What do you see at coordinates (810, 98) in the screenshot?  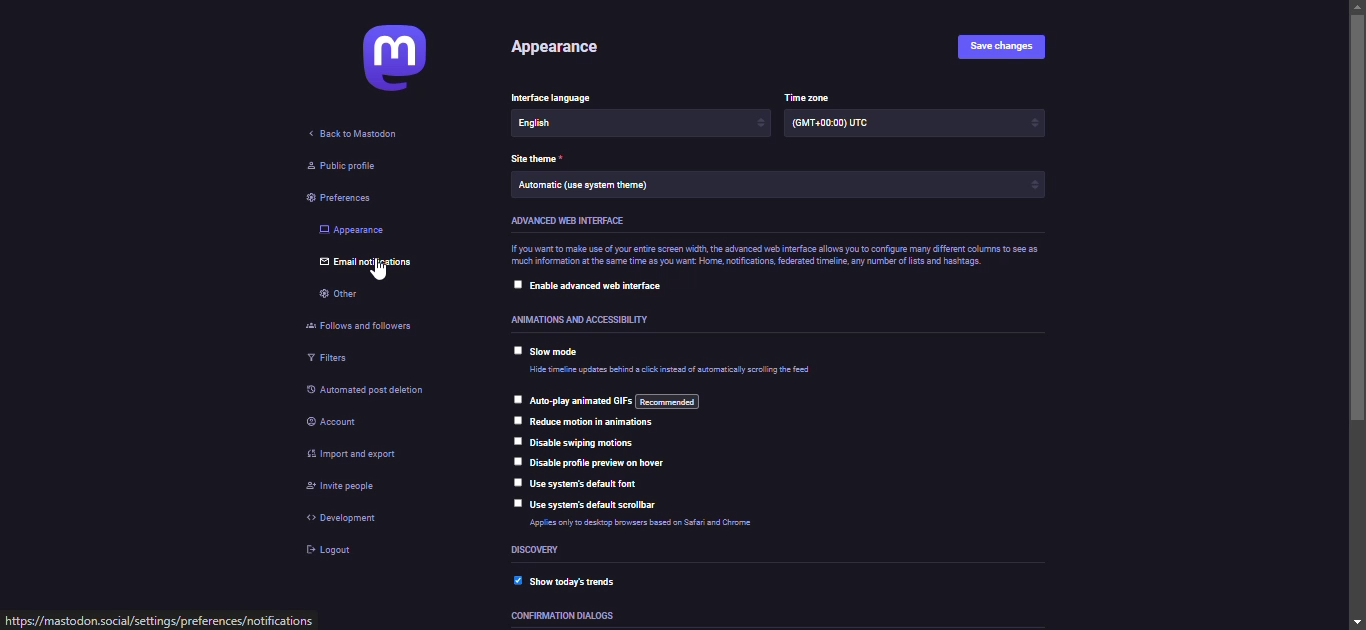 I see `time zone` at bounding box center [810, 98].